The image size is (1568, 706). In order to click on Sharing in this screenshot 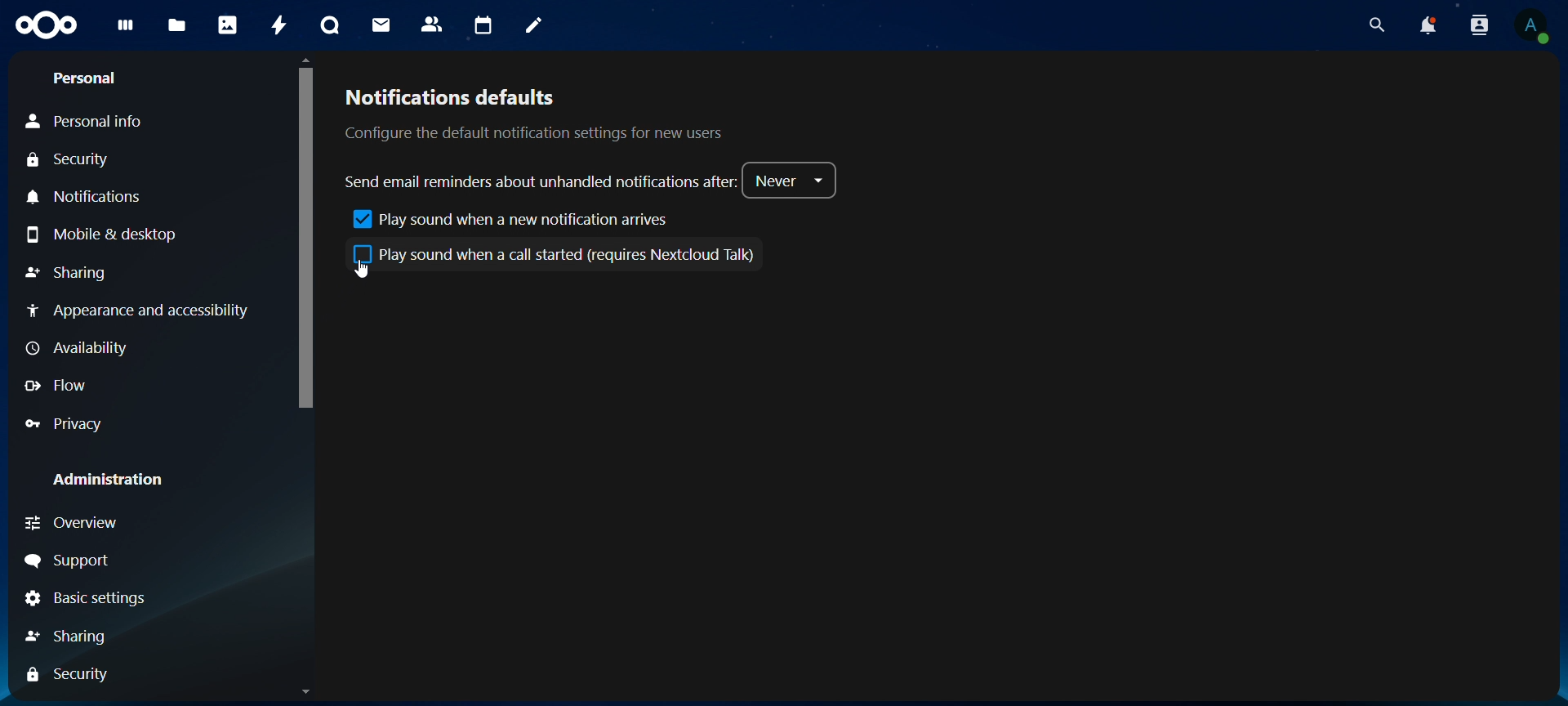, I will do `click(66, 637)`.